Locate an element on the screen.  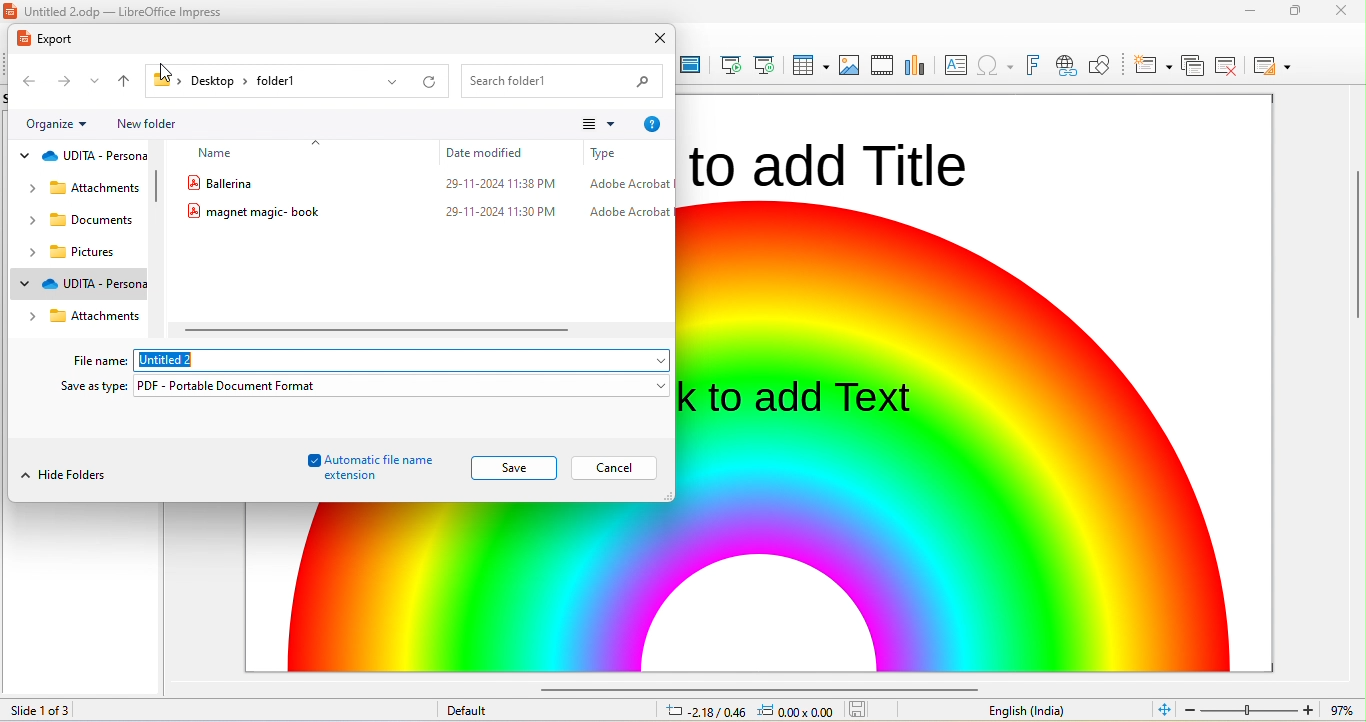
documents is located at coordinates (92, 220).